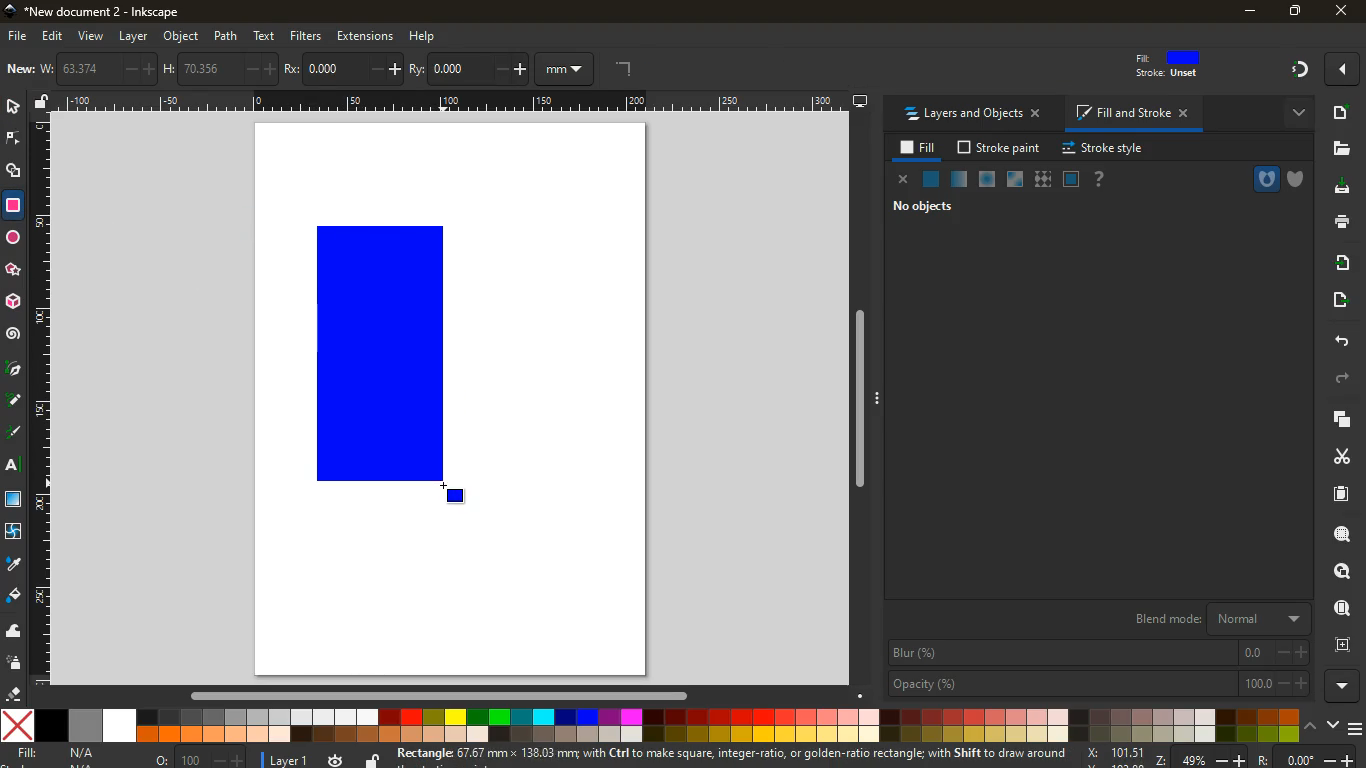 The height and width of the screenshot is (768, 1366). What do you see at coordinates (1265, 178) in the screenshot?
I see `hole` at bounding box center [1265, 178].